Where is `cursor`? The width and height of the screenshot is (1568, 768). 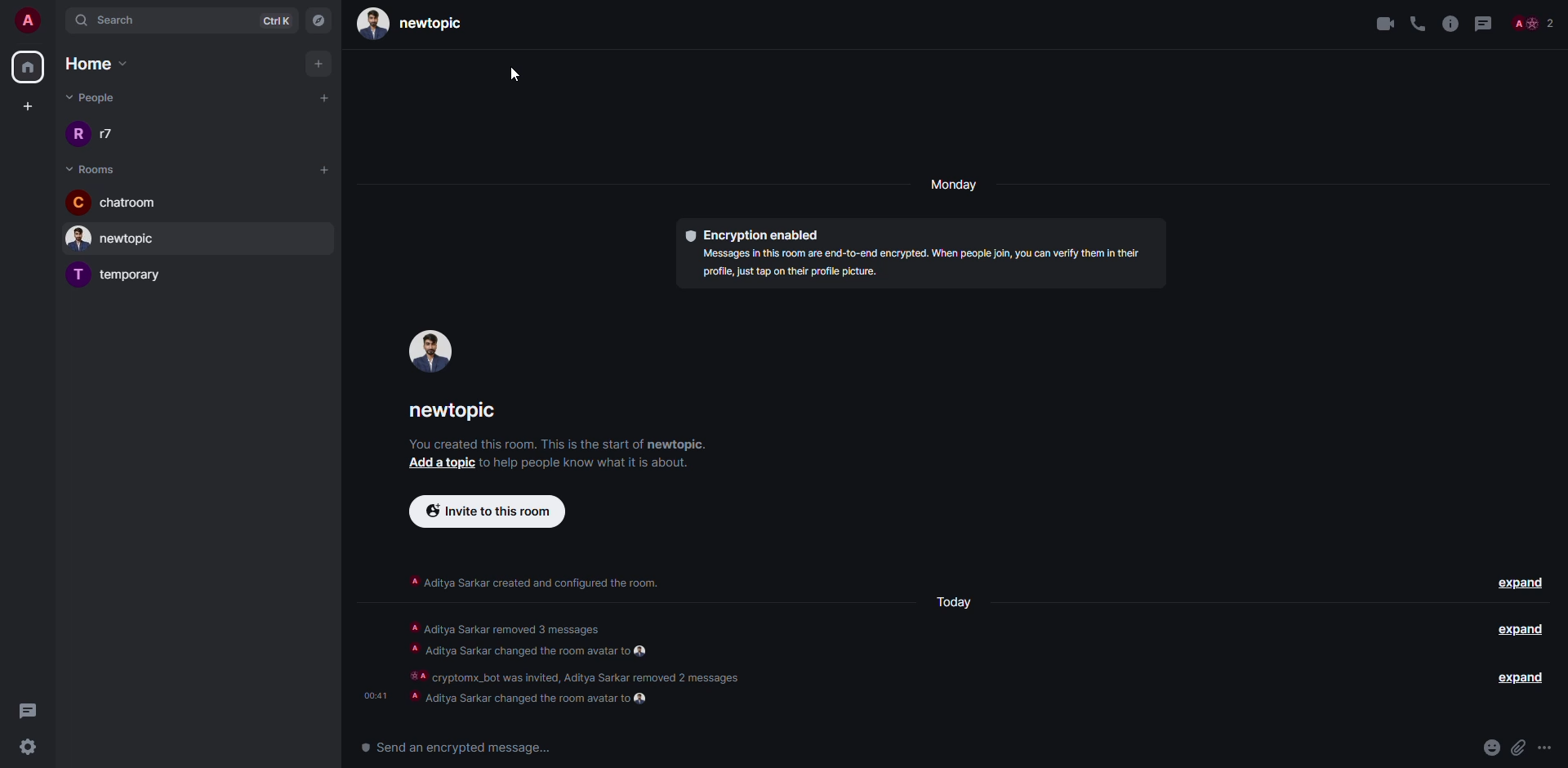 cursor is located at coordinates (512, 78).